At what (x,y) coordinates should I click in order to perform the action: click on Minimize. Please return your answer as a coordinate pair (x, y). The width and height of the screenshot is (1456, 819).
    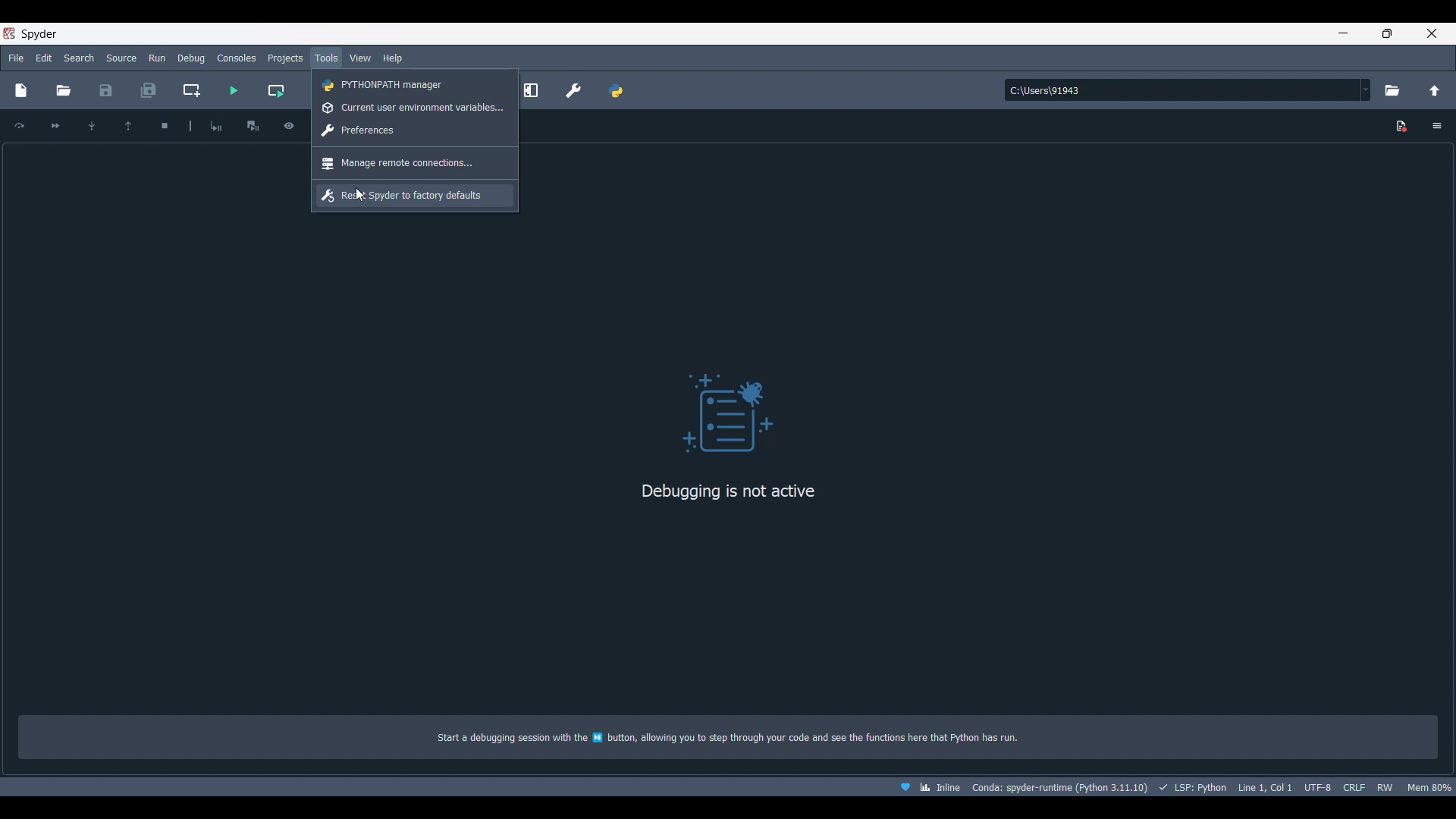
    Looking at the image, I should click on (1344, 33).